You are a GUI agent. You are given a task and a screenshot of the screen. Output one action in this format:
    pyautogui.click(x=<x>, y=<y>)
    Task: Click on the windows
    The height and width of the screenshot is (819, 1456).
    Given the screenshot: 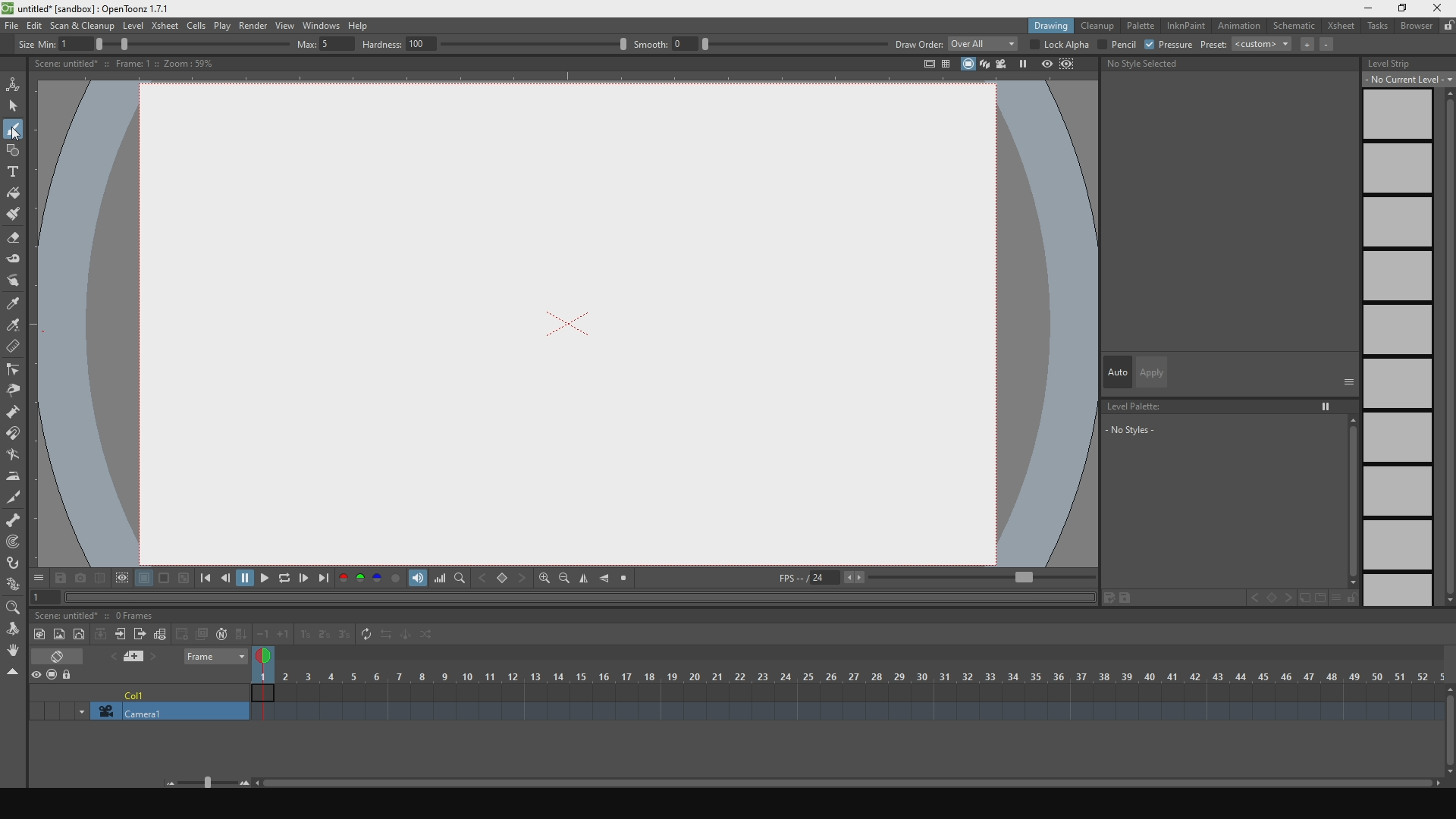 What is the action you would take?
    pyautogui.click(x=320, y=23)
    